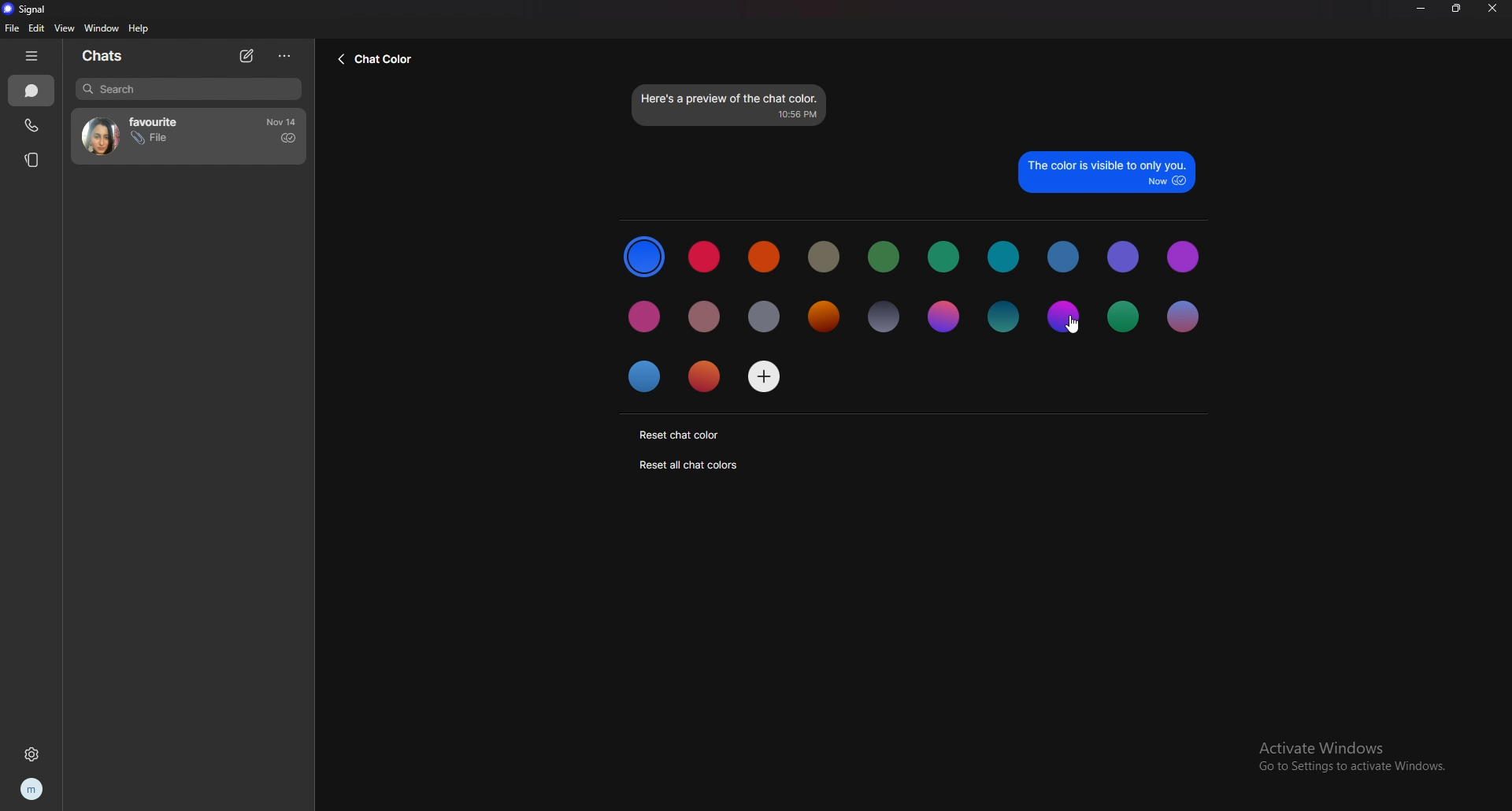 This screenshot has height=811, width=1512. What do you see at coordinates (1065, 257) in the screenshot?
I see `color` at bounding box center [1065, 257].